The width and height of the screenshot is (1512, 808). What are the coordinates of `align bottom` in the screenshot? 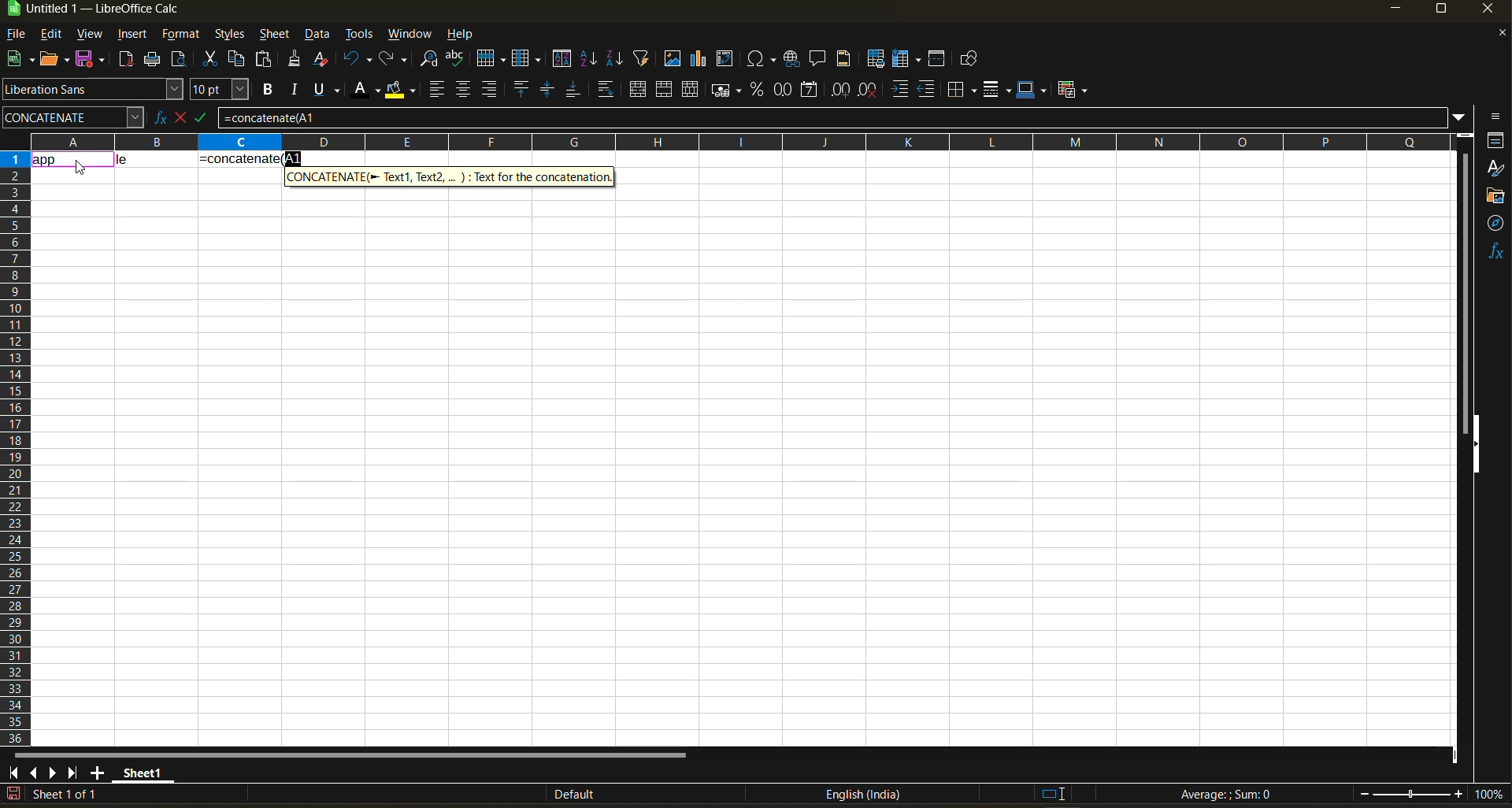 It's located at (574, 89).